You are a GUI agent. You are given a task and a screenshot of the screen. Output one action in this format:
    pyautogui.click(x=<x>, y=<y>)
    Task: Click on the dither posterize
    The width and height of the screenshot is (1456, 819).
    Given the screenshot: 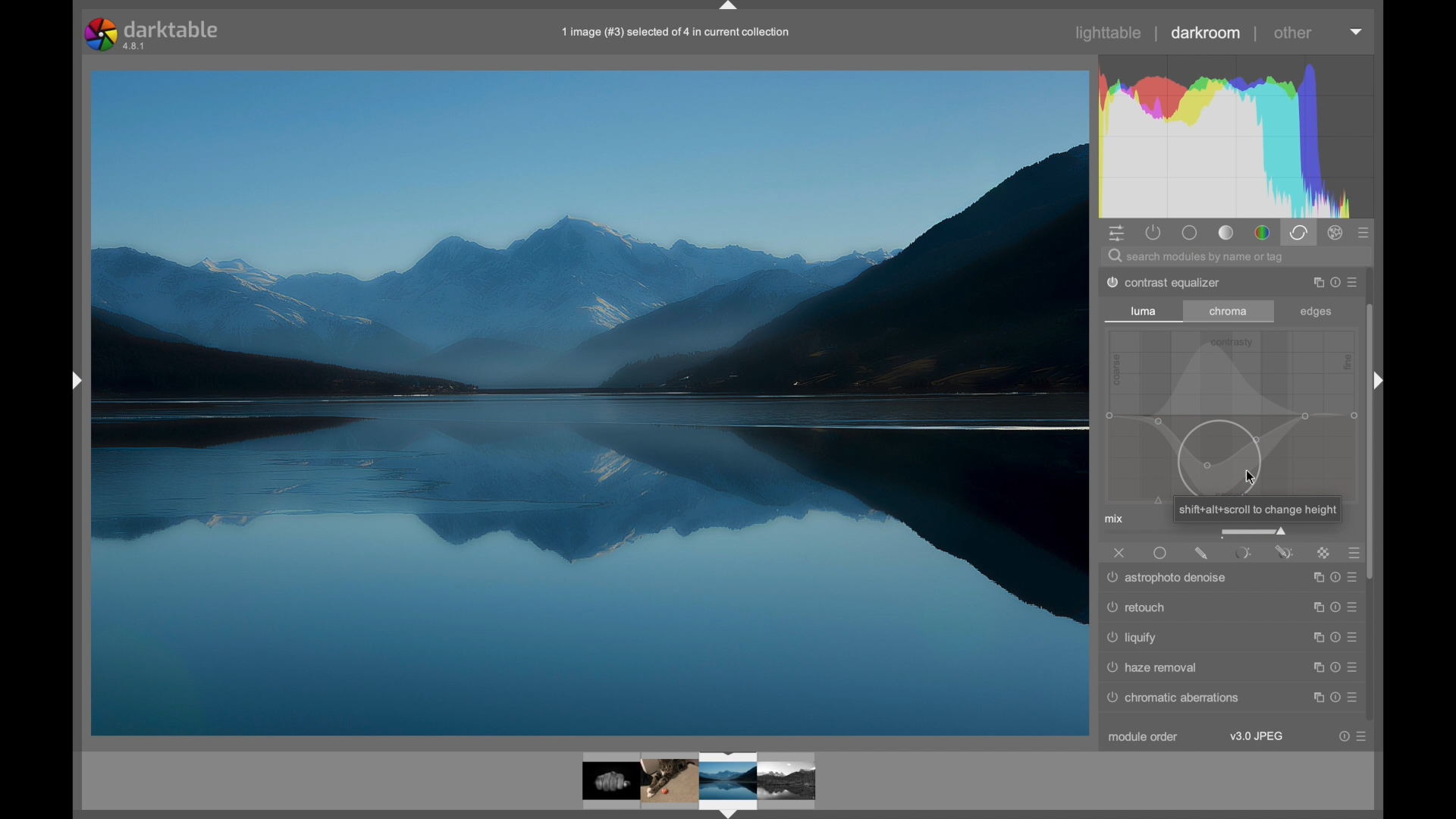 What is the action you would take?
    pyautogui.click(x=1164, y=282)
    